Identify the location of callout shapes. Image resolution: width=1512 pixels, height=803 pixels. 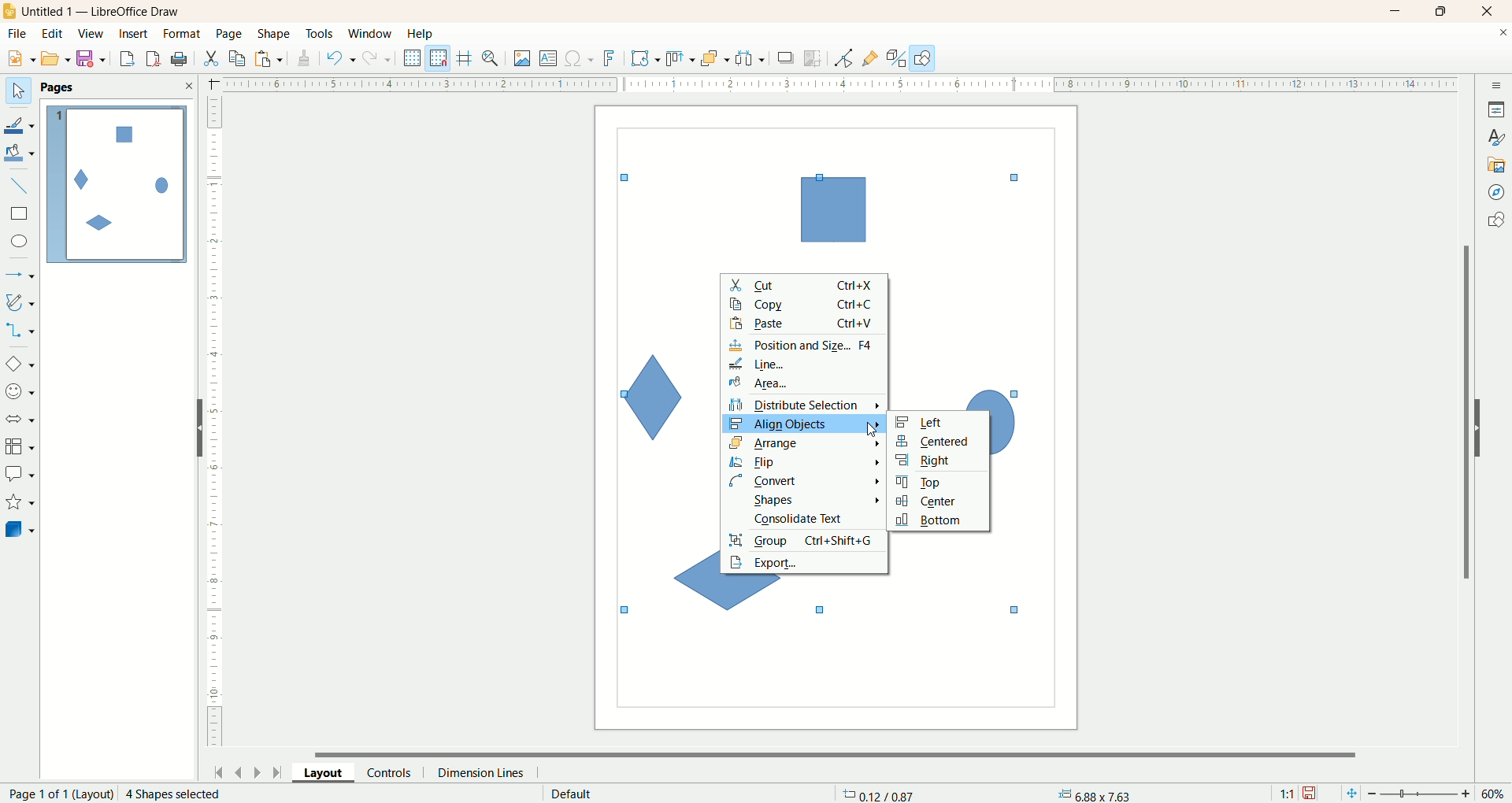
(20, 475).